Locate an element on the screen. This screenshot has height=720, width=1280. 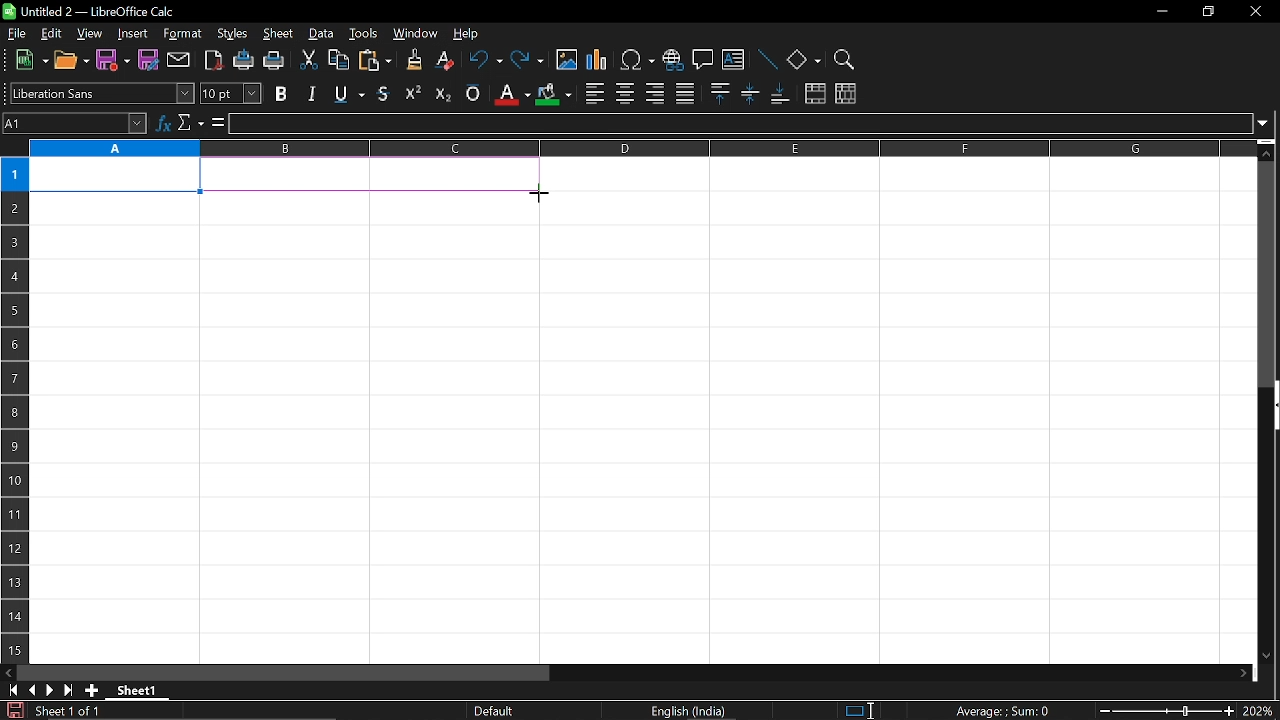
insert text is located at coordinates (734, 59).